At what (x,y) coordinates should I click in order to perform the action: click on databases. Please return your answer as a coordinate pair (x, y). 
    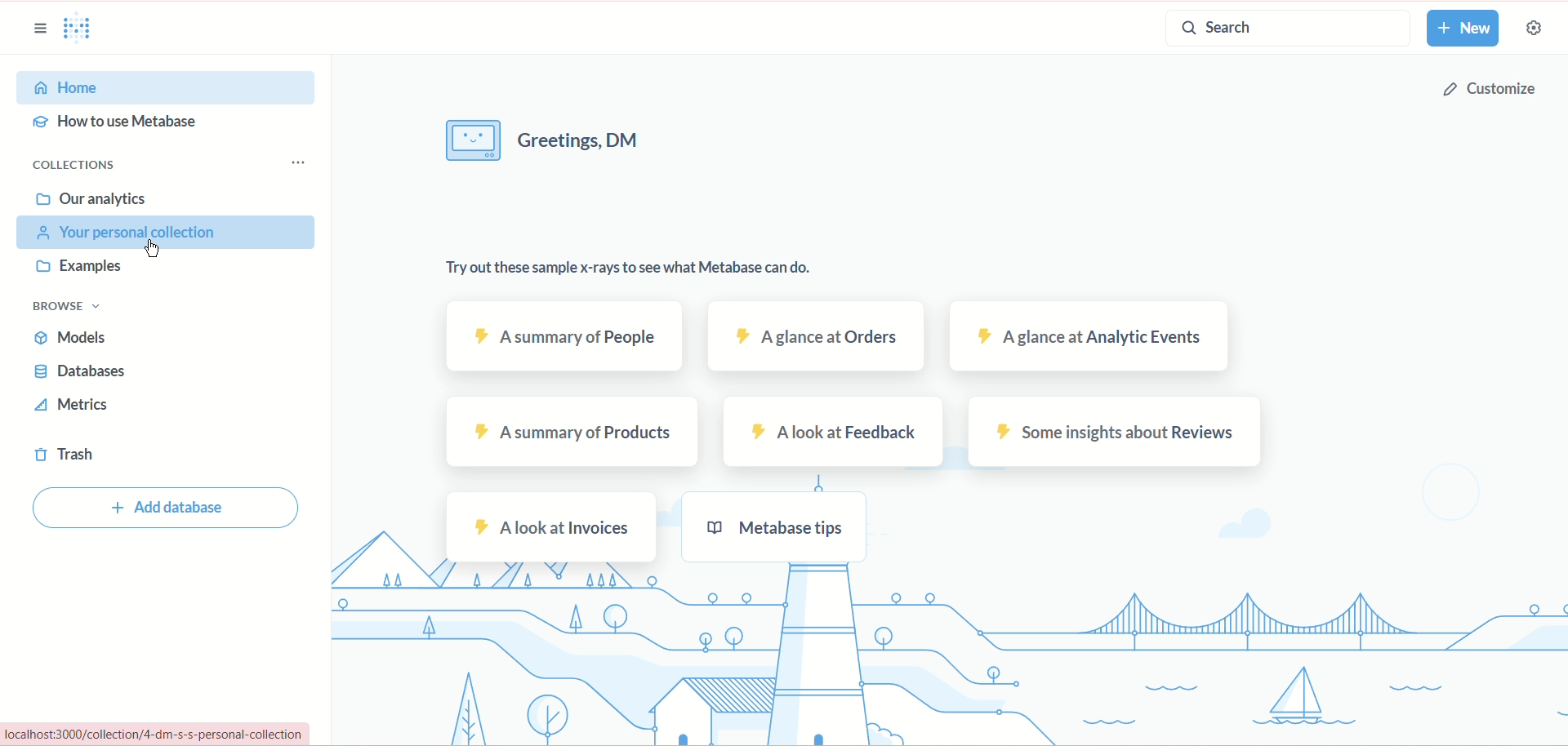
    Looking at the image, I should click on (86, 371).